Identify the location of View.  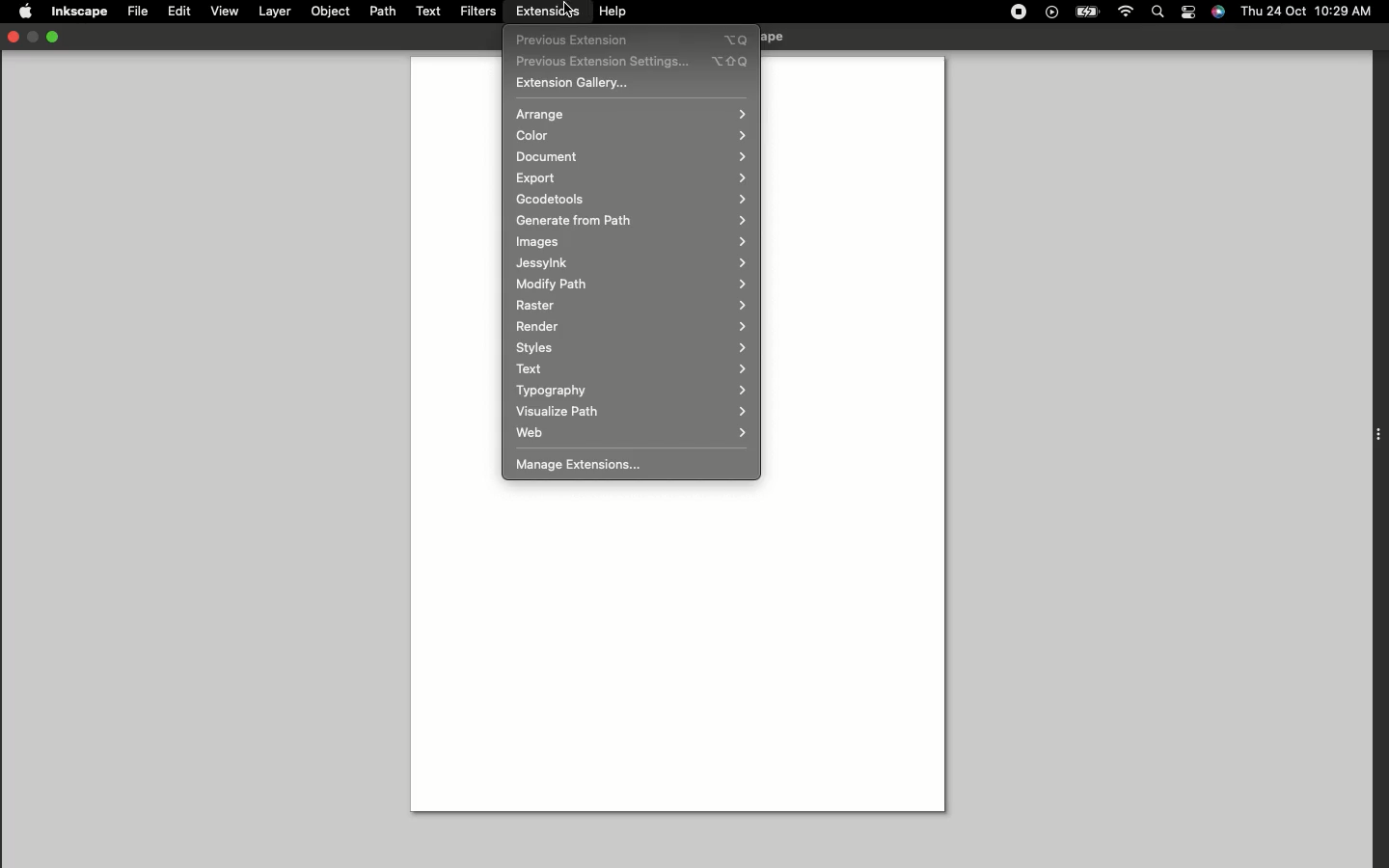
(229, 12).